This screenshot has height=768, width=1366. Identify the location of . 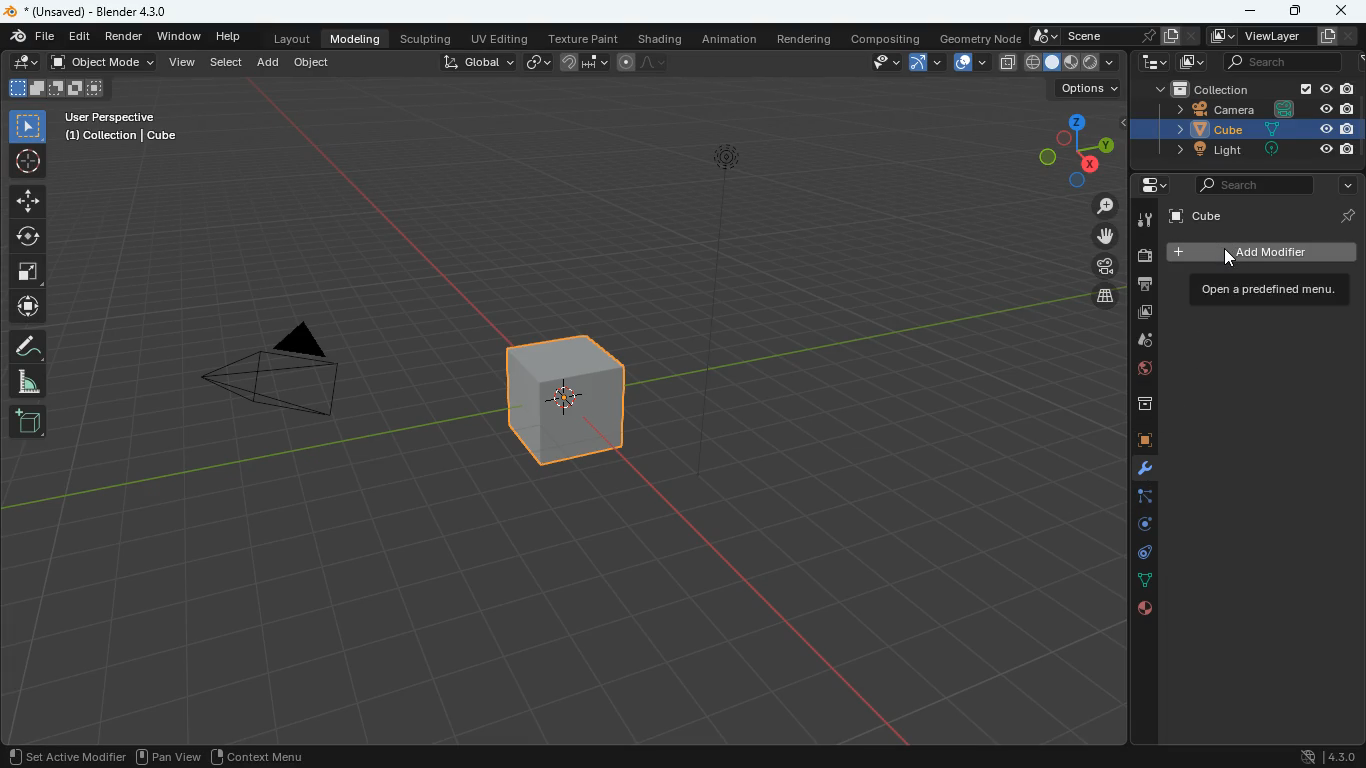
(1331, 36).